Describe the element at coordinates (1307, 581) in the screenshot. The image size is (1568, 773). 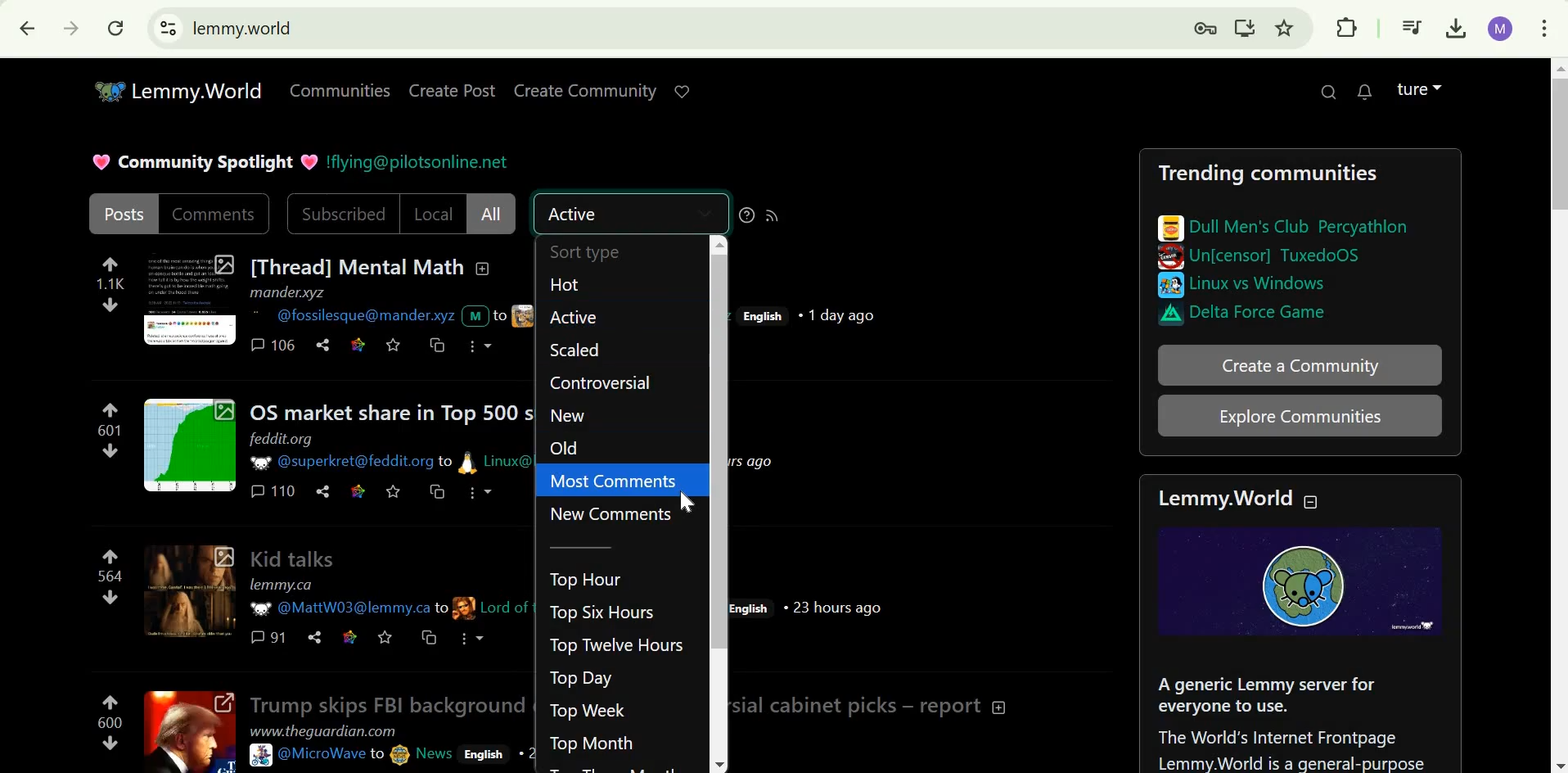
I see `Logo` at that location.